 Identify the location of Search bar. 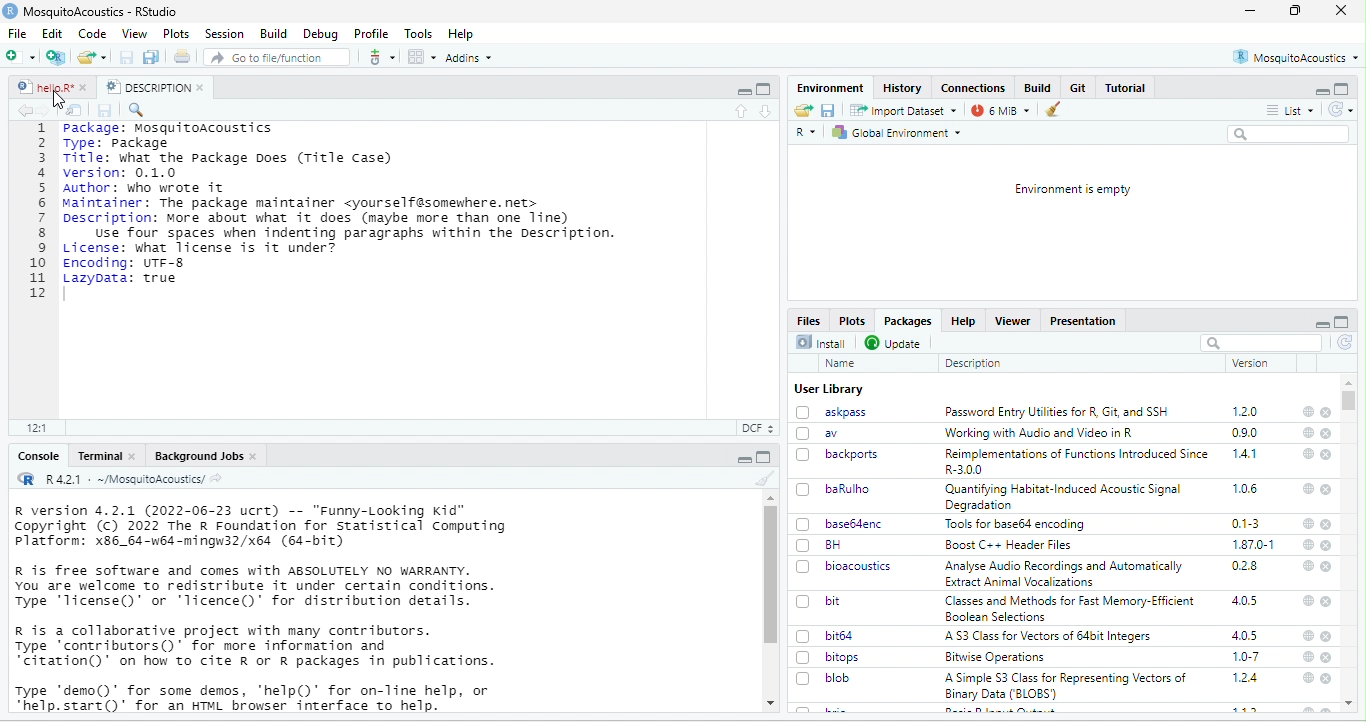
(1290, 134).